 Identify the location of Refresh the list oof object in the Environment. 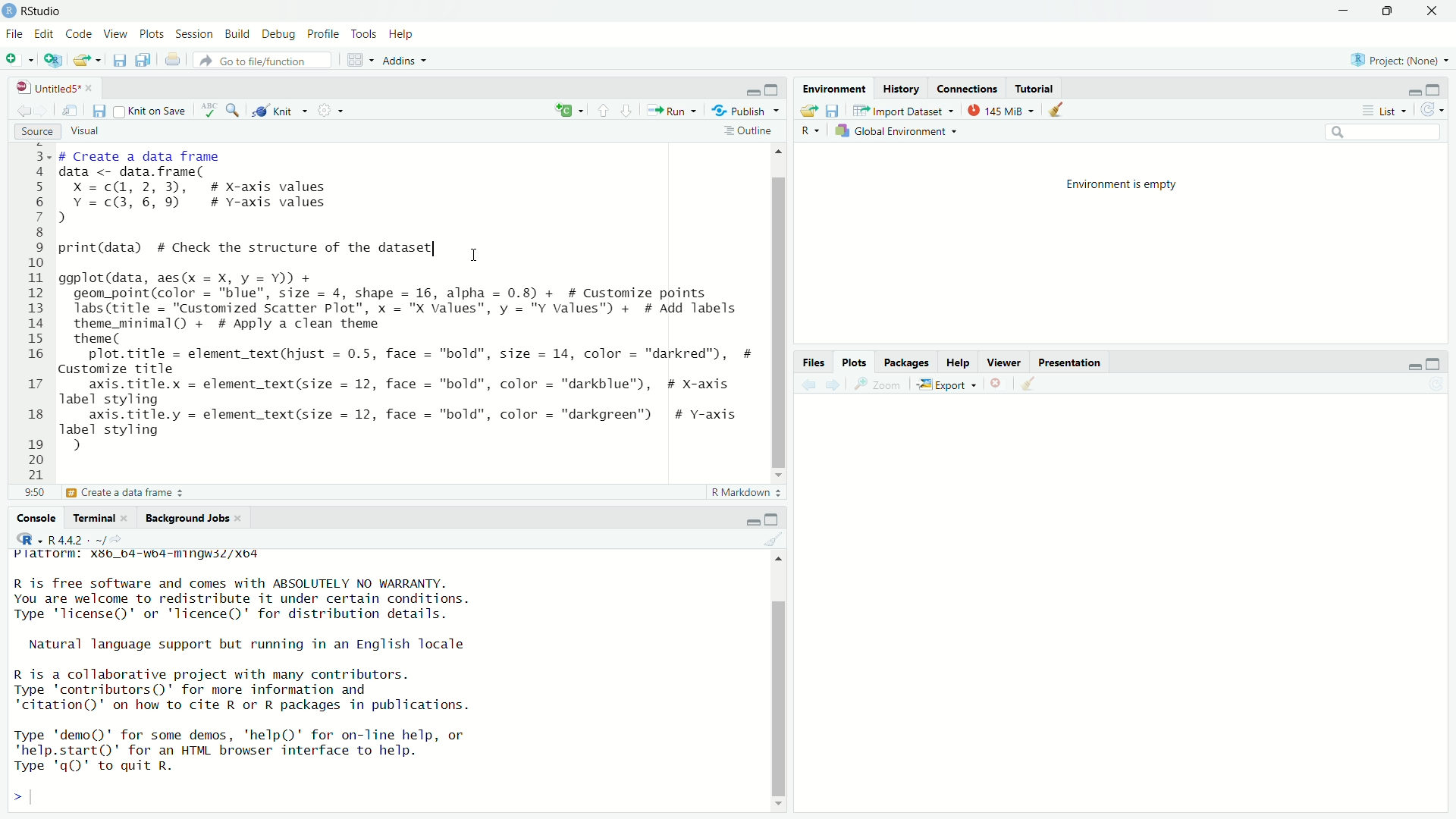
(1433, 110).